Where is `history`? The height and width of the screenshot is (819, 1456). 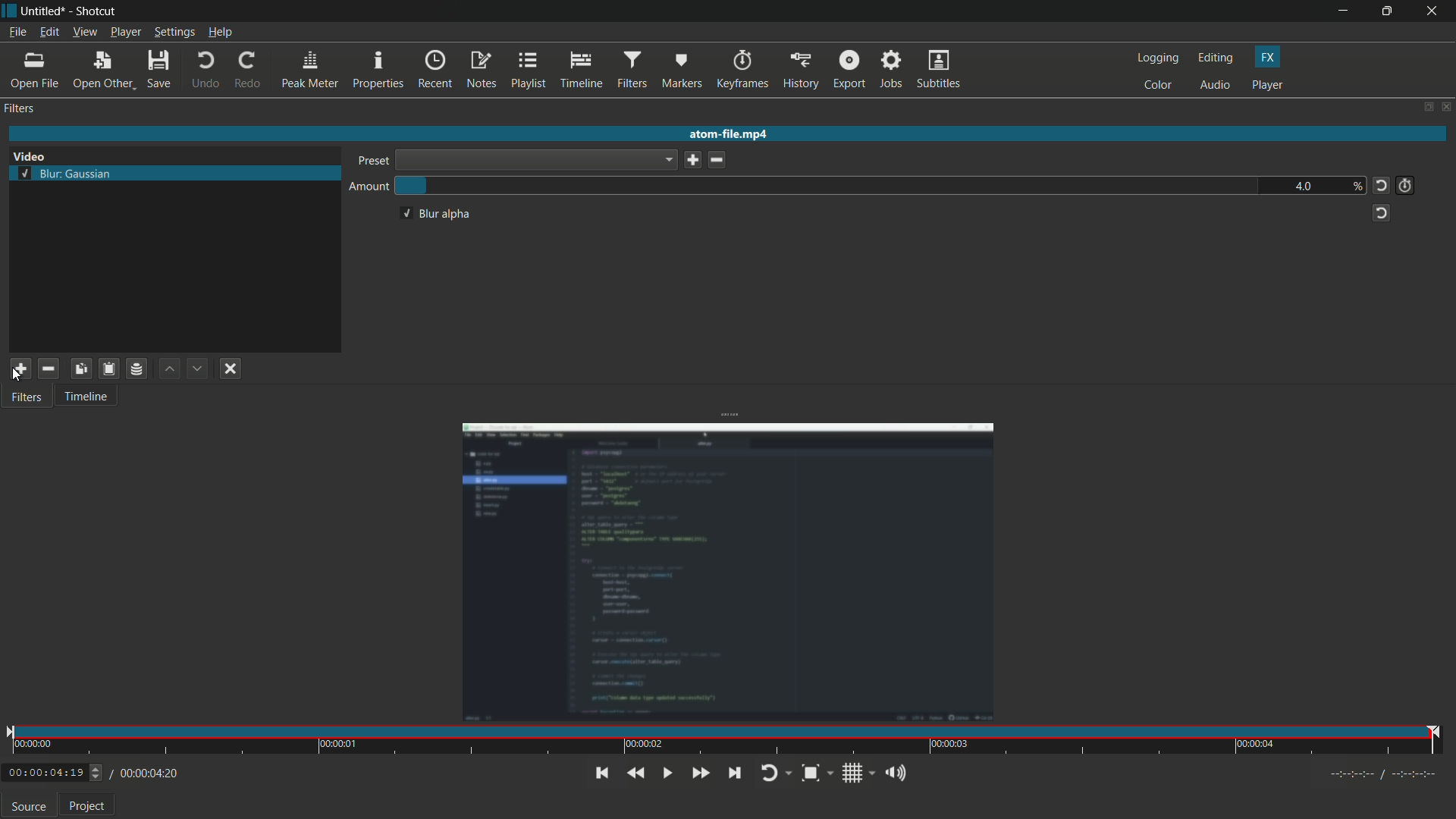 history is located at coordinates (800, 71).